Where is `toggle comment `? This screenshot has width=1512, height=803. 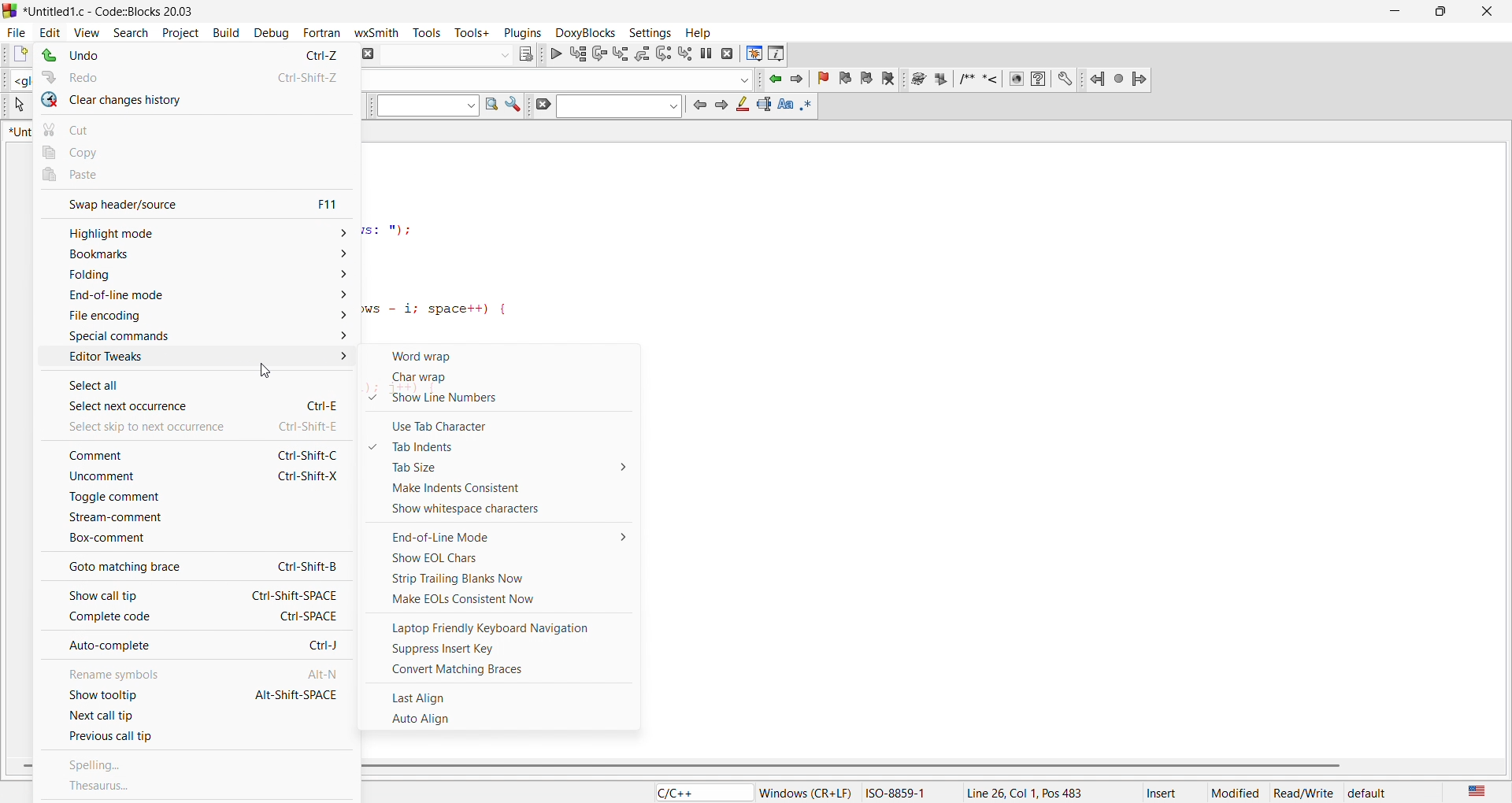 toggle comment  is located at coordinates (194, 500).